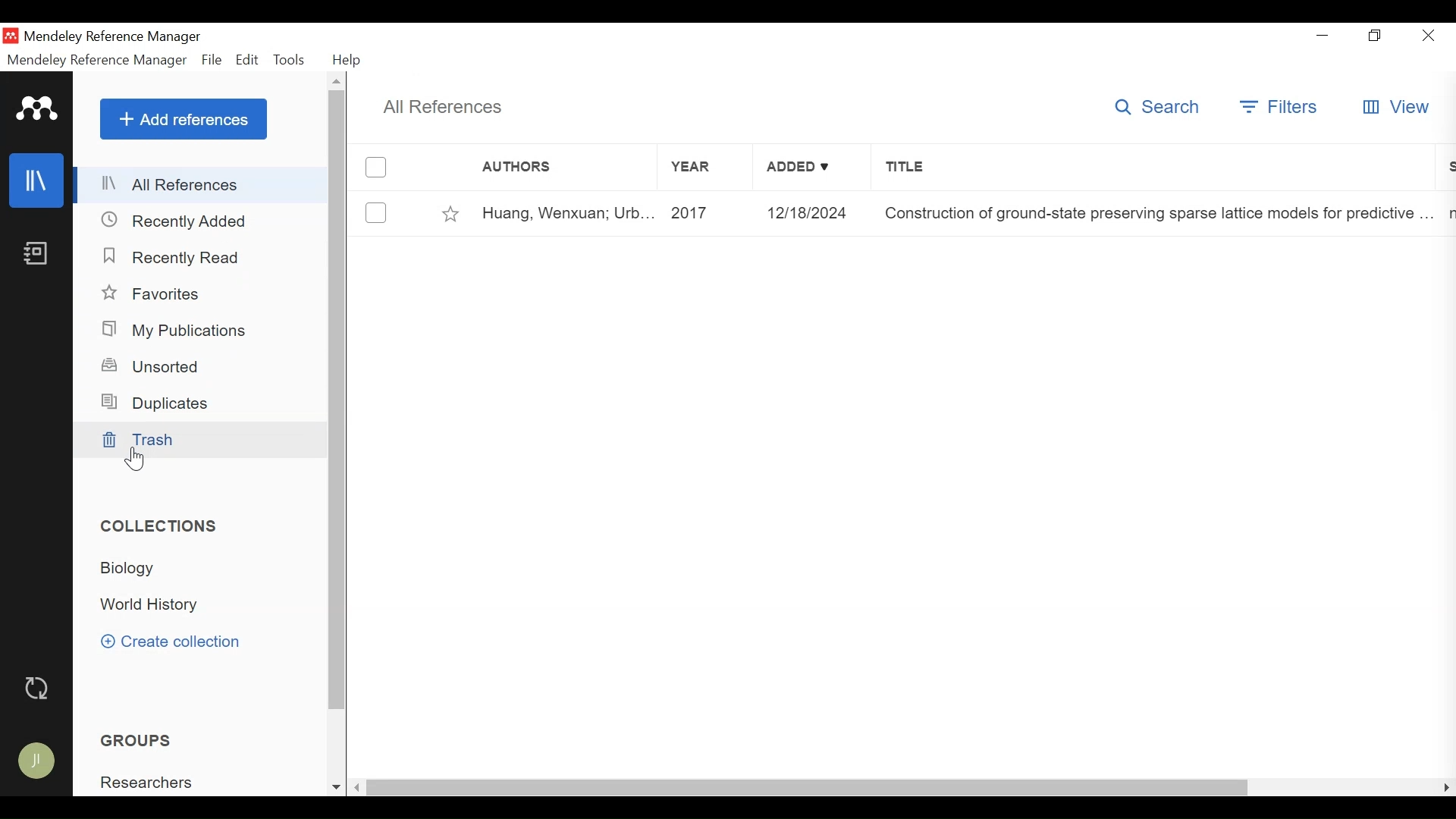 The image size is (1456, 819). Describe the element at coordinates (290, 60) in the screenshot. I see `Tools` at that location.